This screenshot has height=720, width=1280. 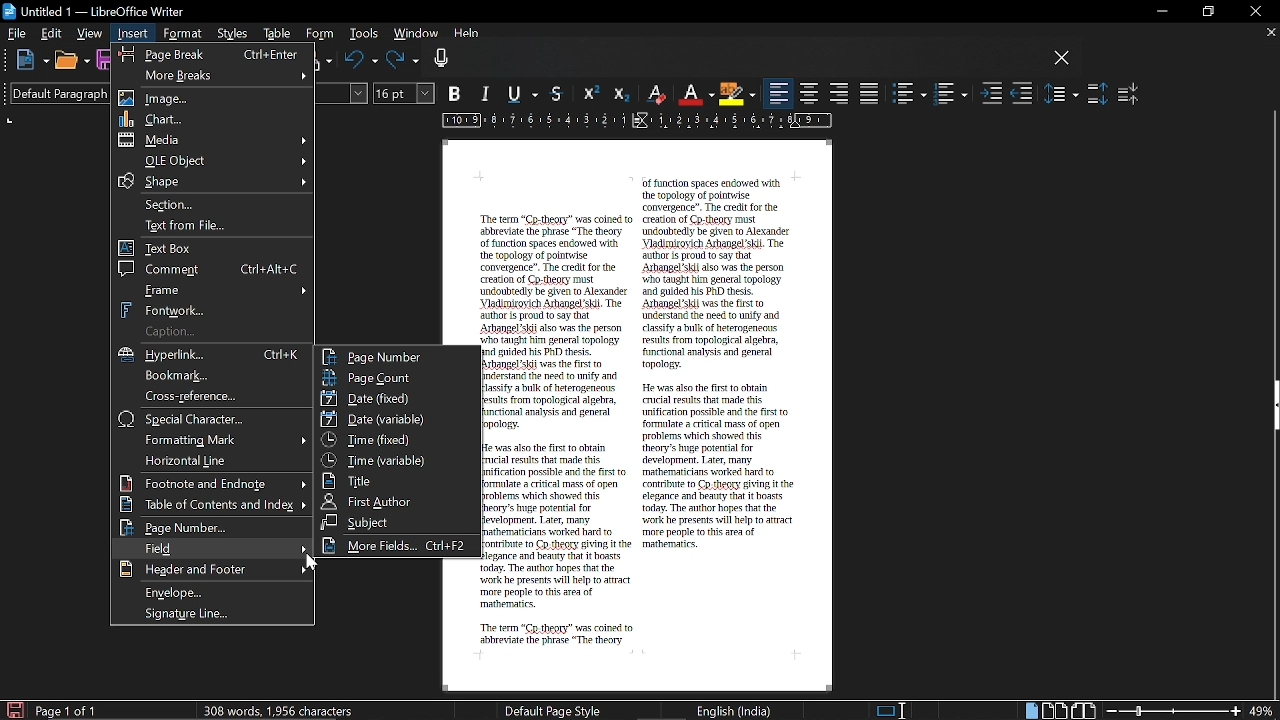 What do you see at coordinates (405, 93) in the screenshot?
I see `Text size` at bounding box center [405, 93].